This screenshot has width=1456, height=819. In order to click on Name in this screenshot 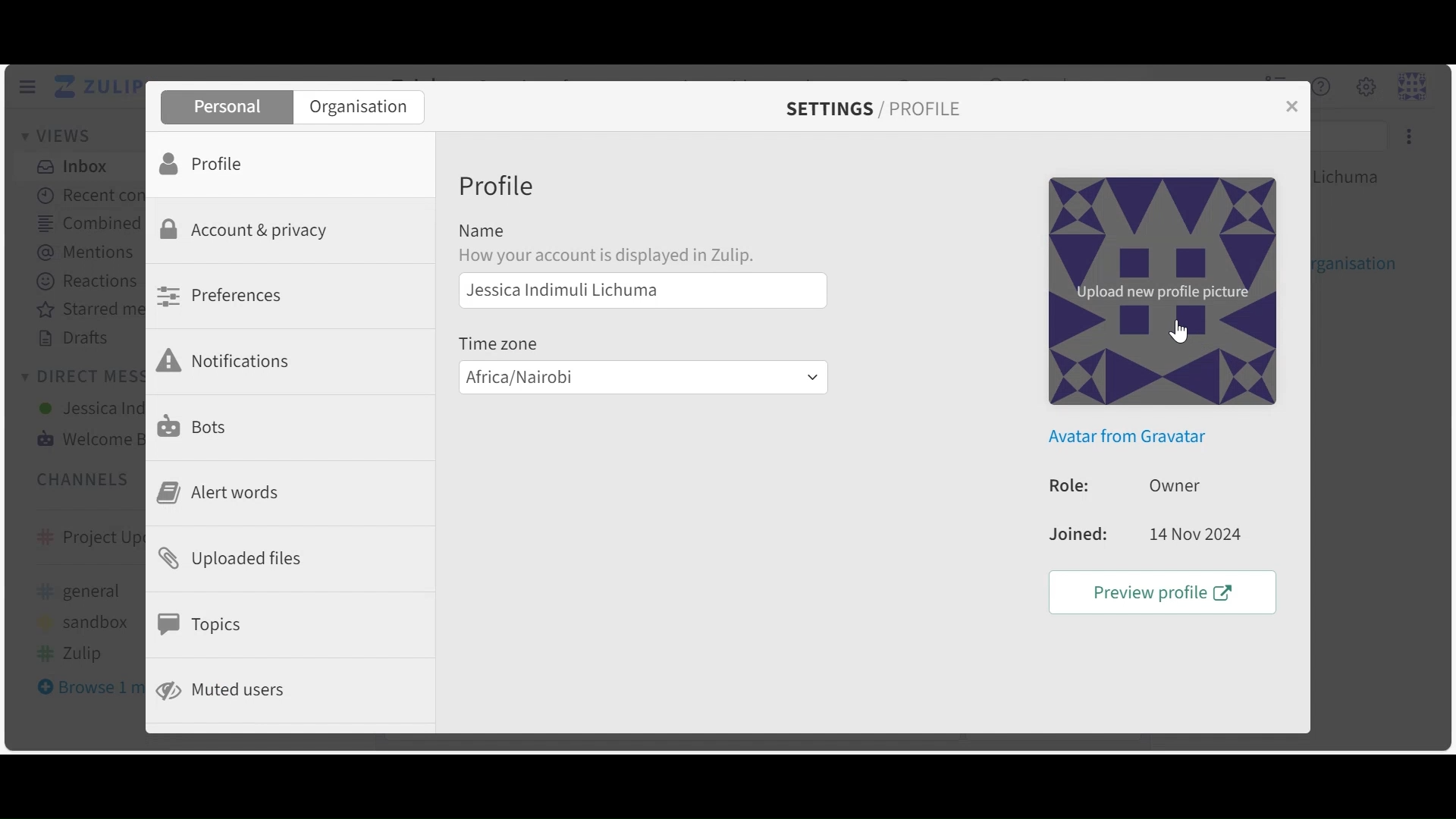, I will do `click(484, 234)`.